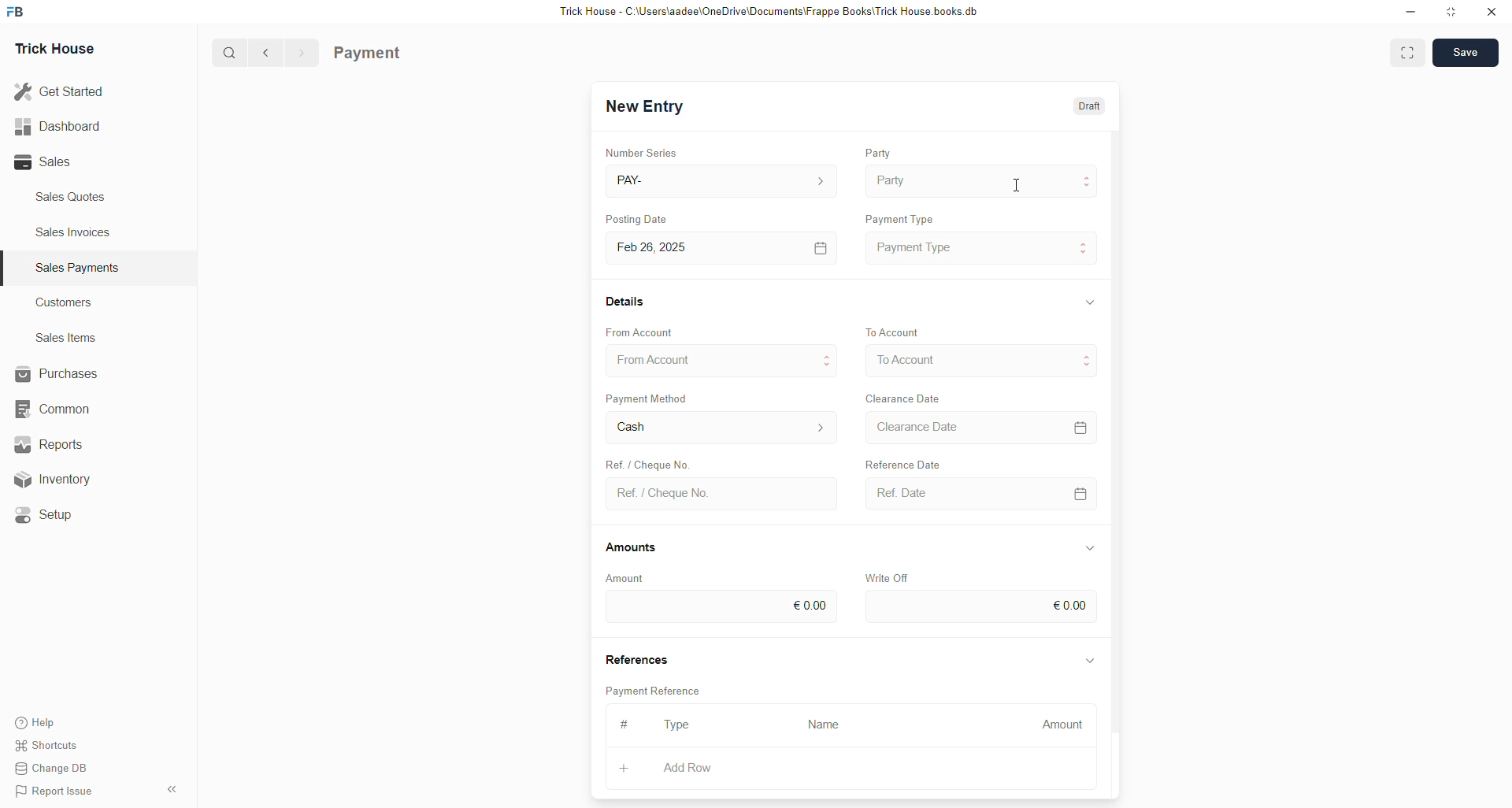  I want to click on Draft, so click(1091, 105).